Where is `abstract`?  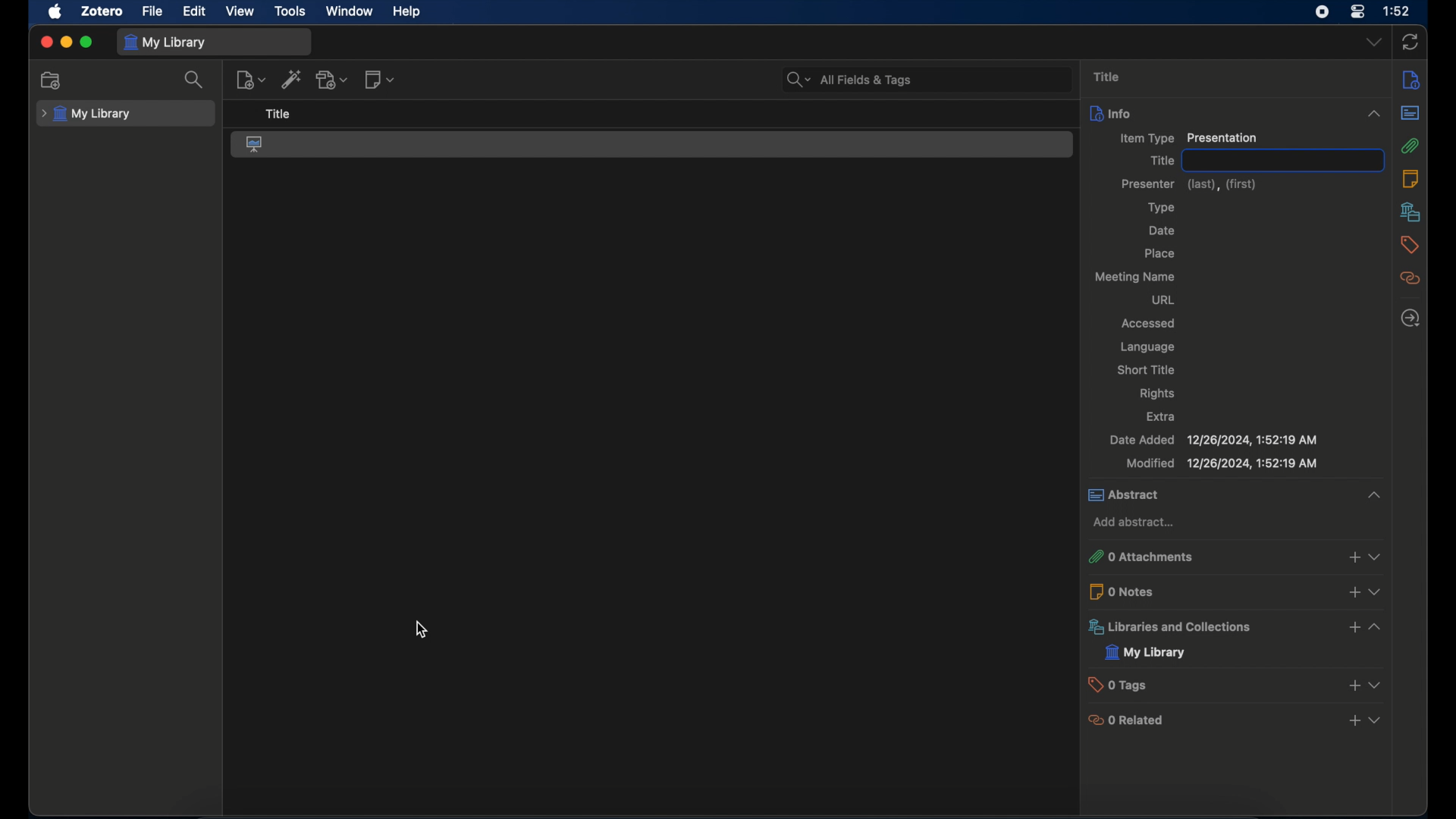
abstract is located at coordinates (1238, 495).